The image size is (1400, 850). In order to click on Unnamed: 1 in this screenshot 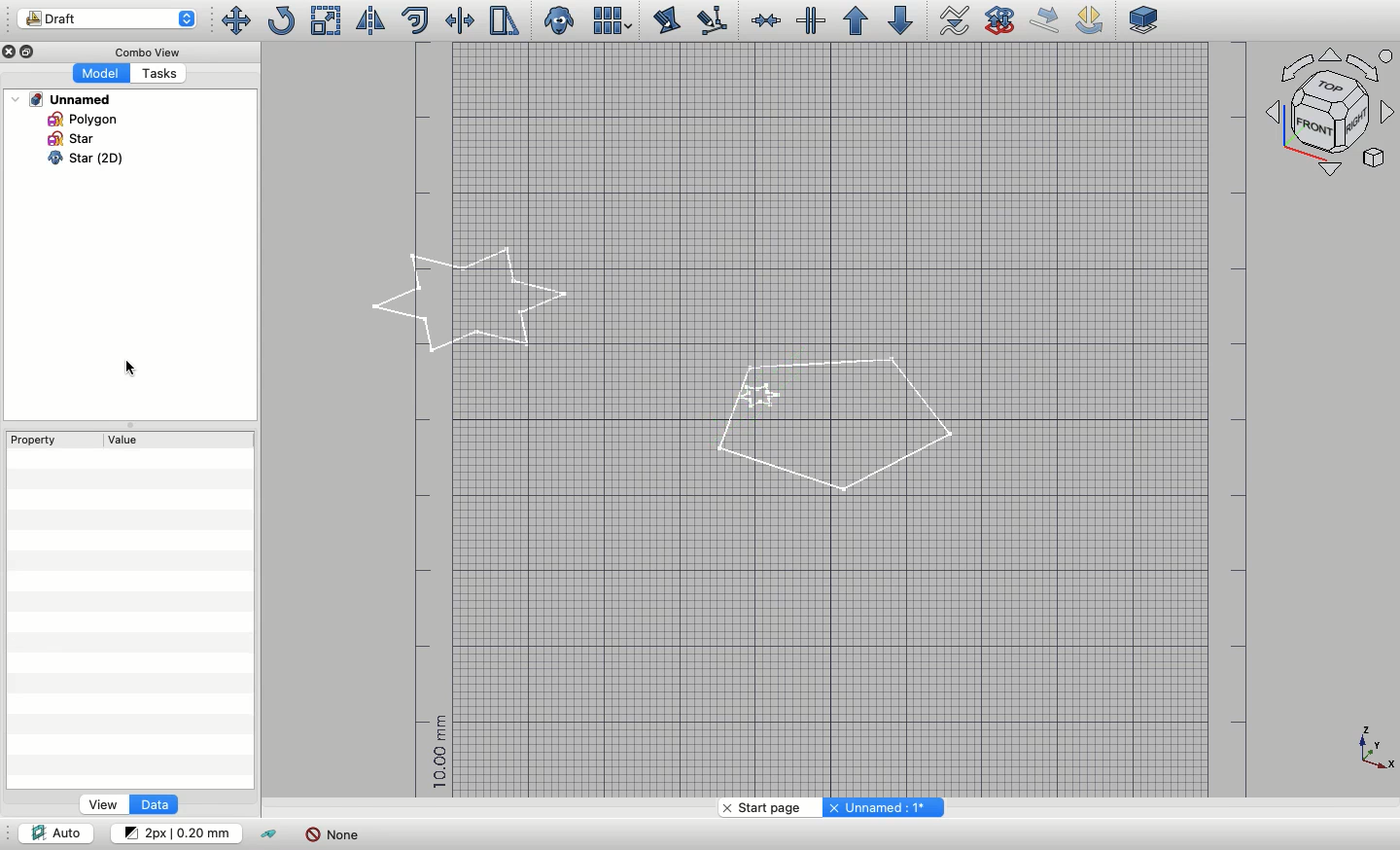, I will do `click(881, 807)`.